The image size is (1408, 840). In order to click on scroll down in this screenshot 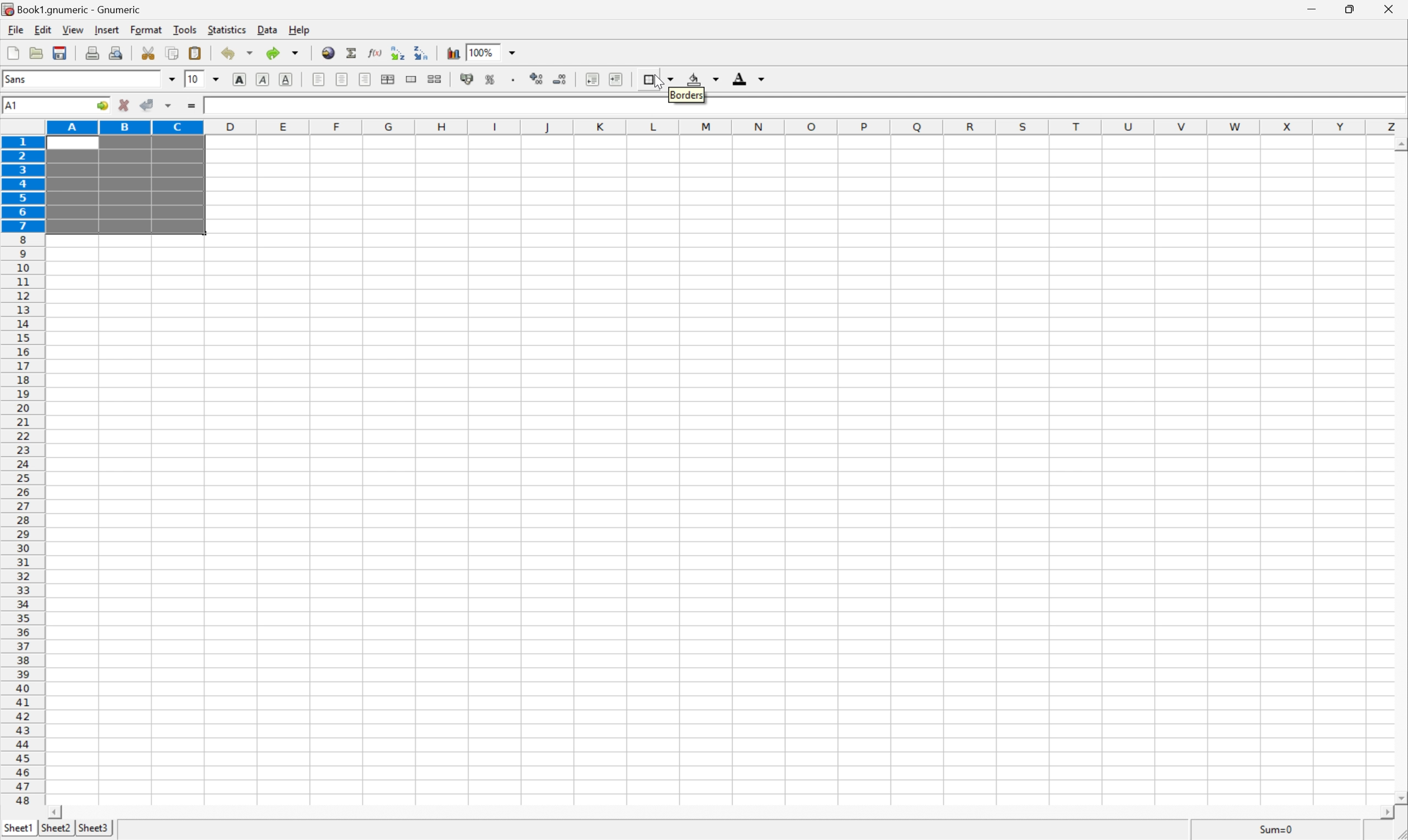, I will do `click(1399, 799)`.